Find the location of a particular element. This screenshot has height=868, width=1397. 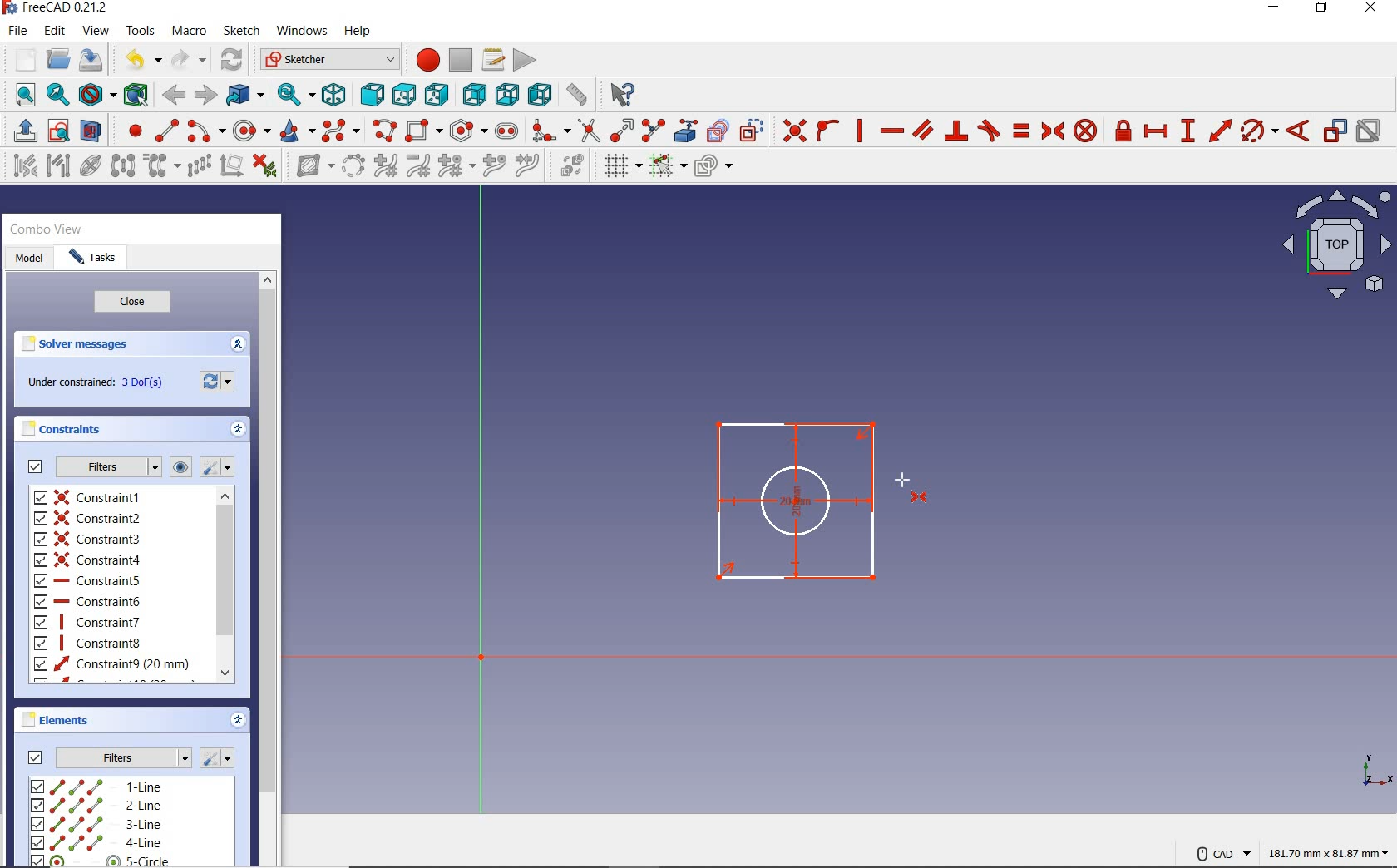

Plane view is located at coordinates (1337, 249).